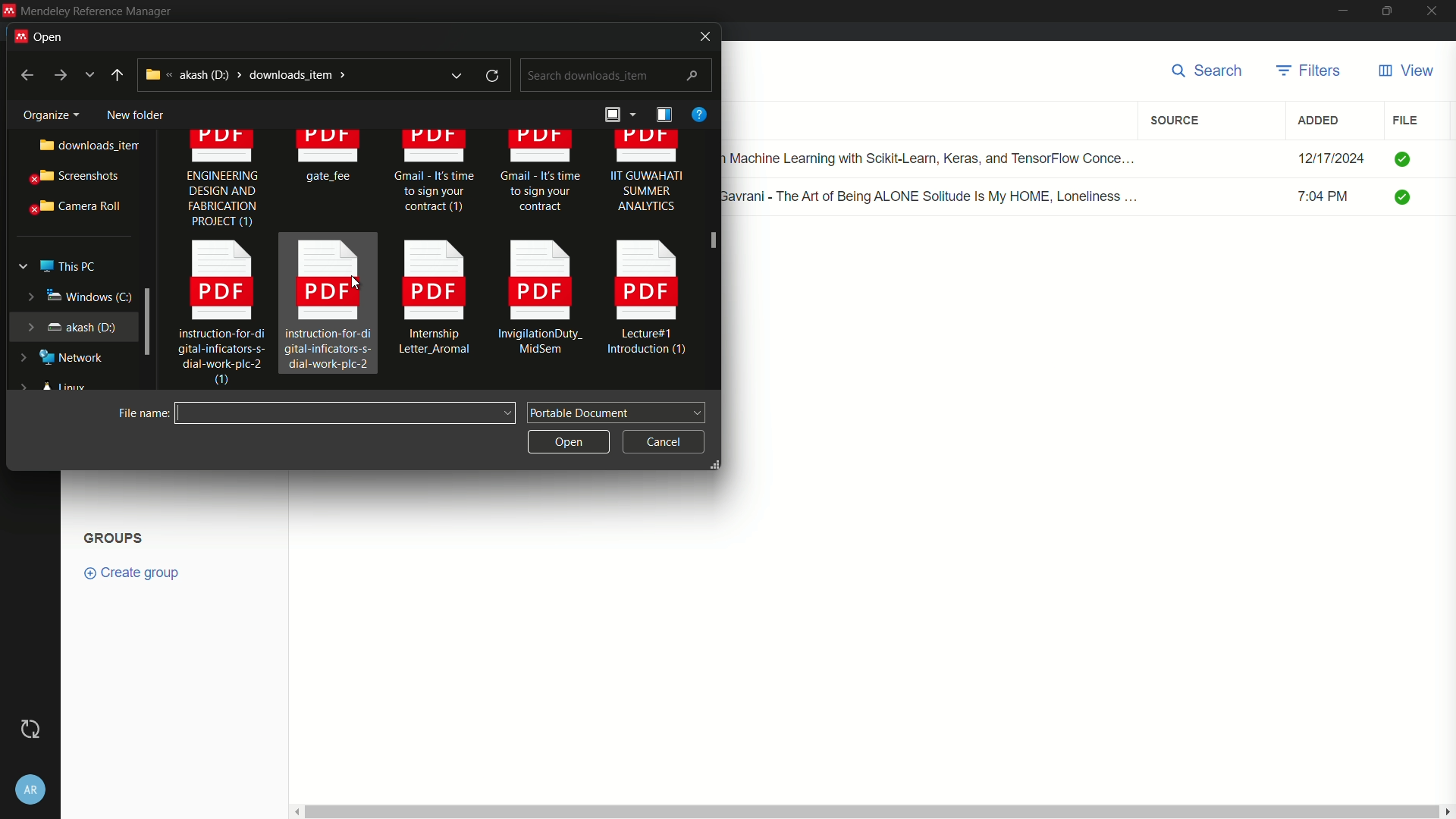  Describe the element at coordinates (1436, 11) in the screenshot. I see `close` at that location.